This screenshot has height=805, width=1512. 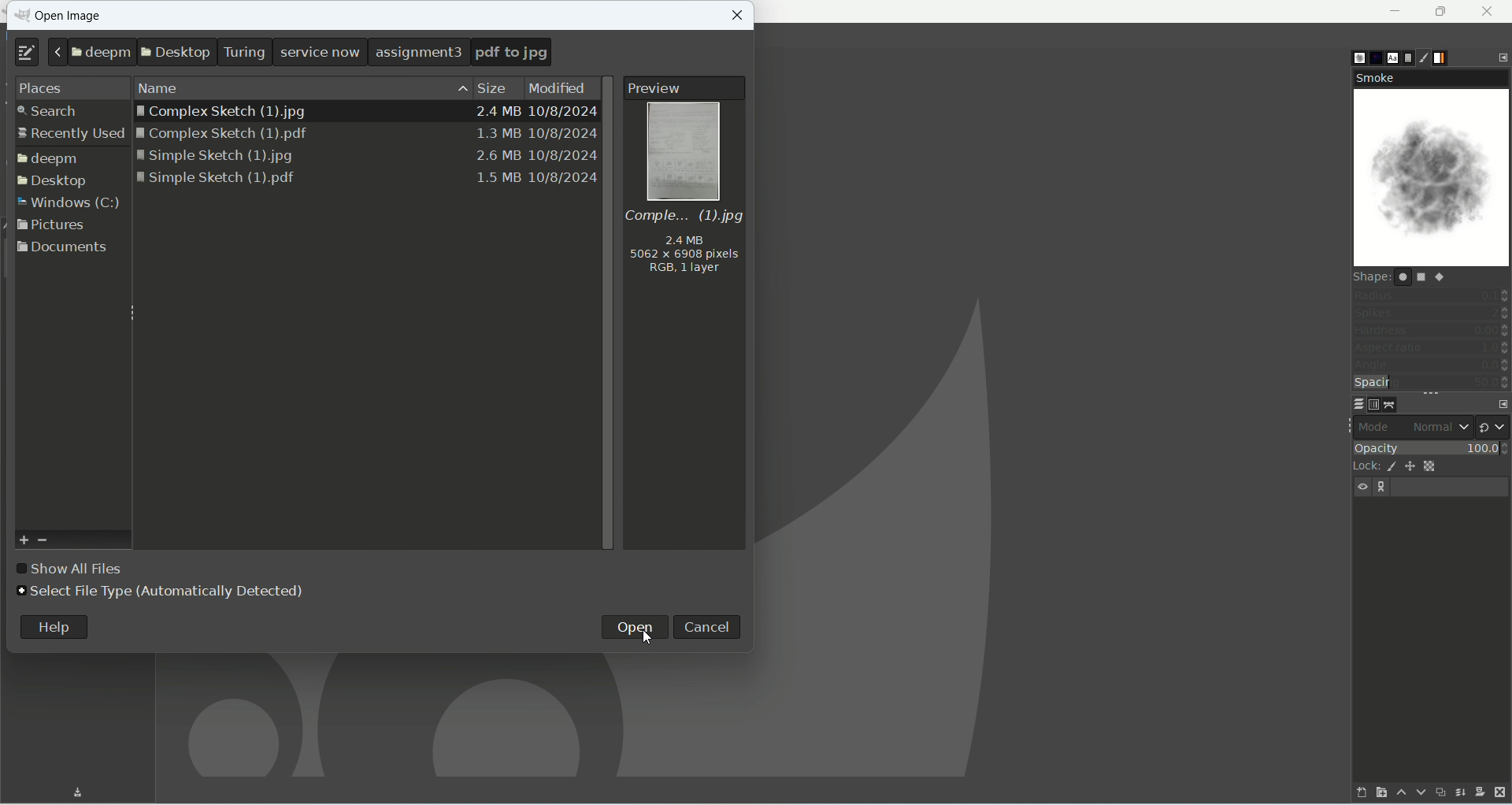 What do you see at coordinates (1431, 330) in the screenshot?
I see `hardness` at bounding box center [1431, 330].